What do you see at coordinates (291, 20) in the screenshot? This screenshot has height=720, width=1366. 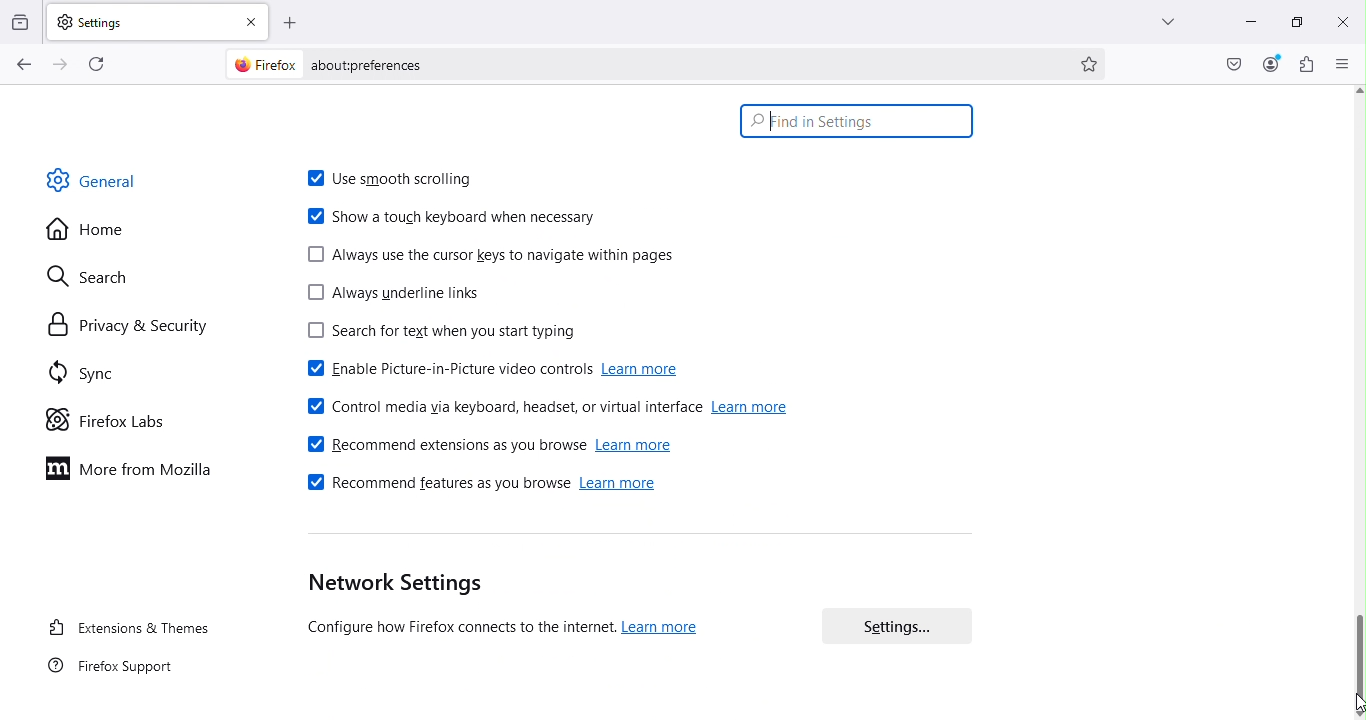 I see `Open a new tab` at bounding box center [291, 20].